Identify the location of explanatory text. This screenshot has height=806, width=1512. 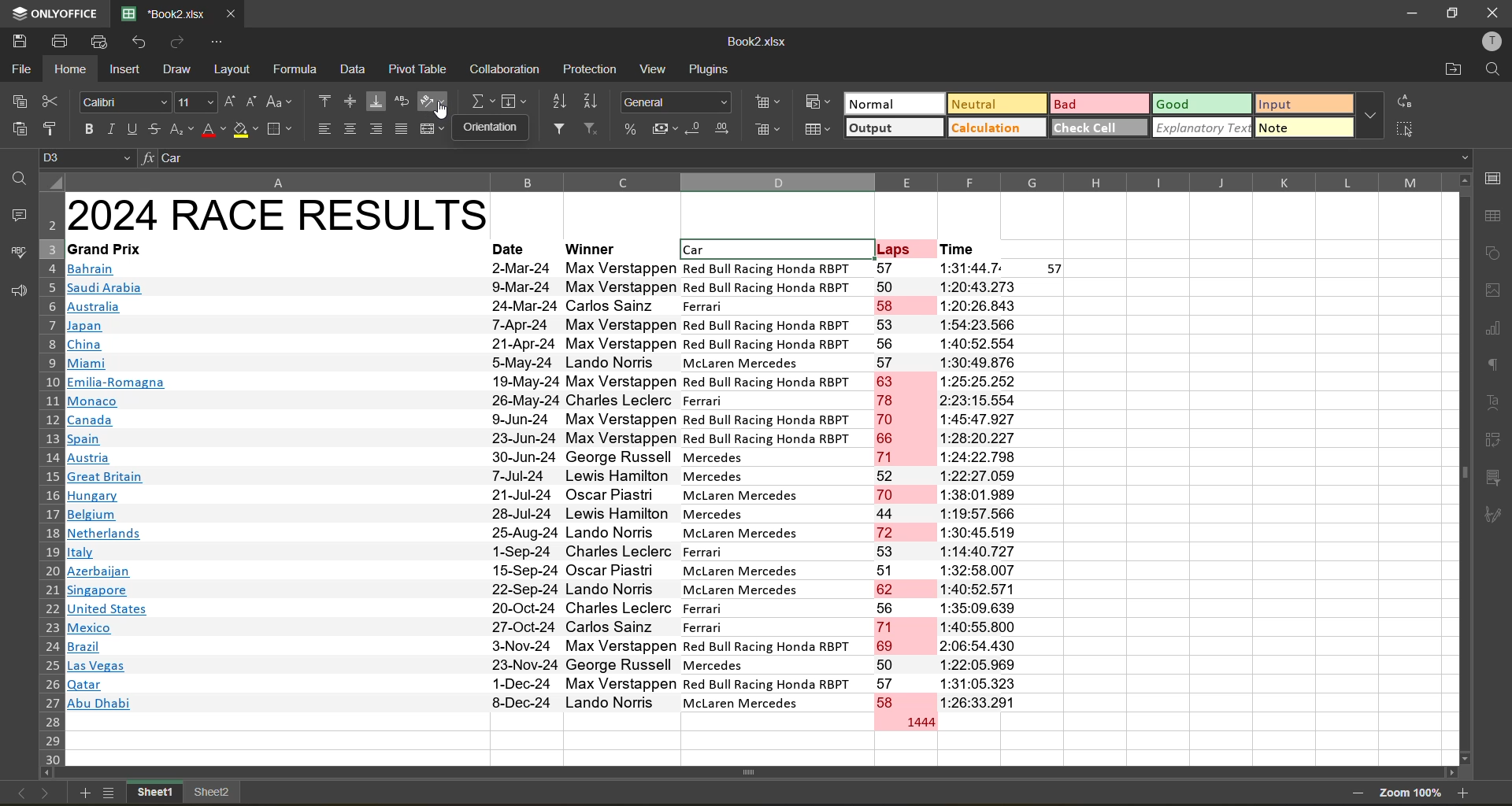
(1203, 130).